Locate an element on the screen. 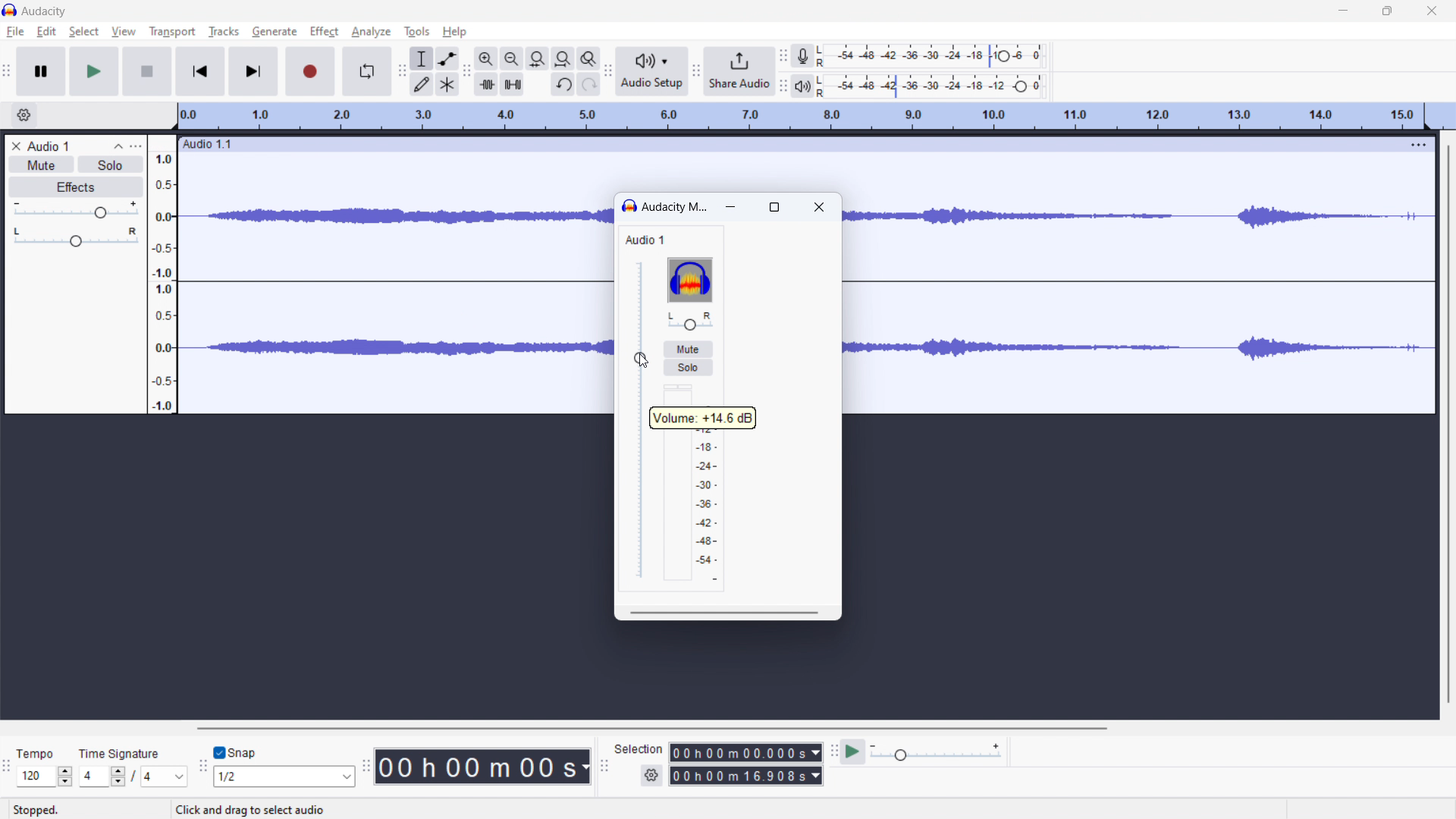 The image size is (1456, 819). transport is located at coordinates (172, 32).